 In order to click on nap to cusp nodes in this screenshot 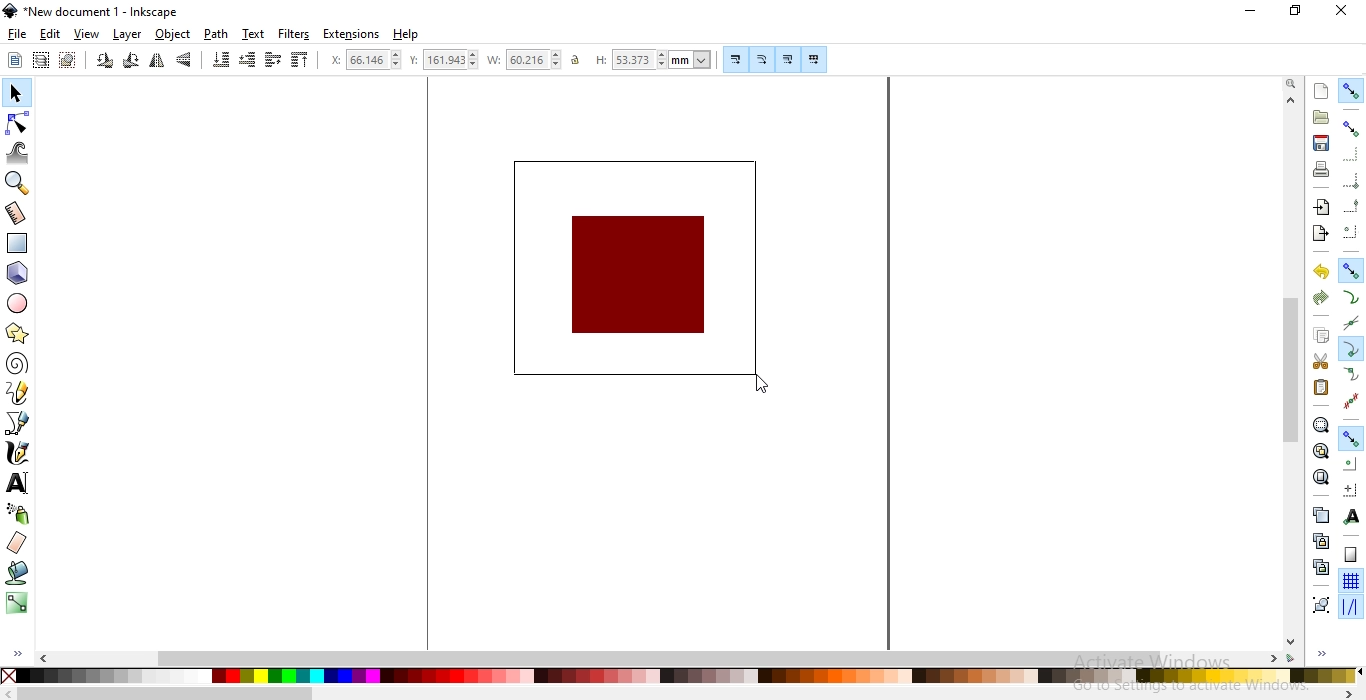, I will do `click(1349, 350)`.